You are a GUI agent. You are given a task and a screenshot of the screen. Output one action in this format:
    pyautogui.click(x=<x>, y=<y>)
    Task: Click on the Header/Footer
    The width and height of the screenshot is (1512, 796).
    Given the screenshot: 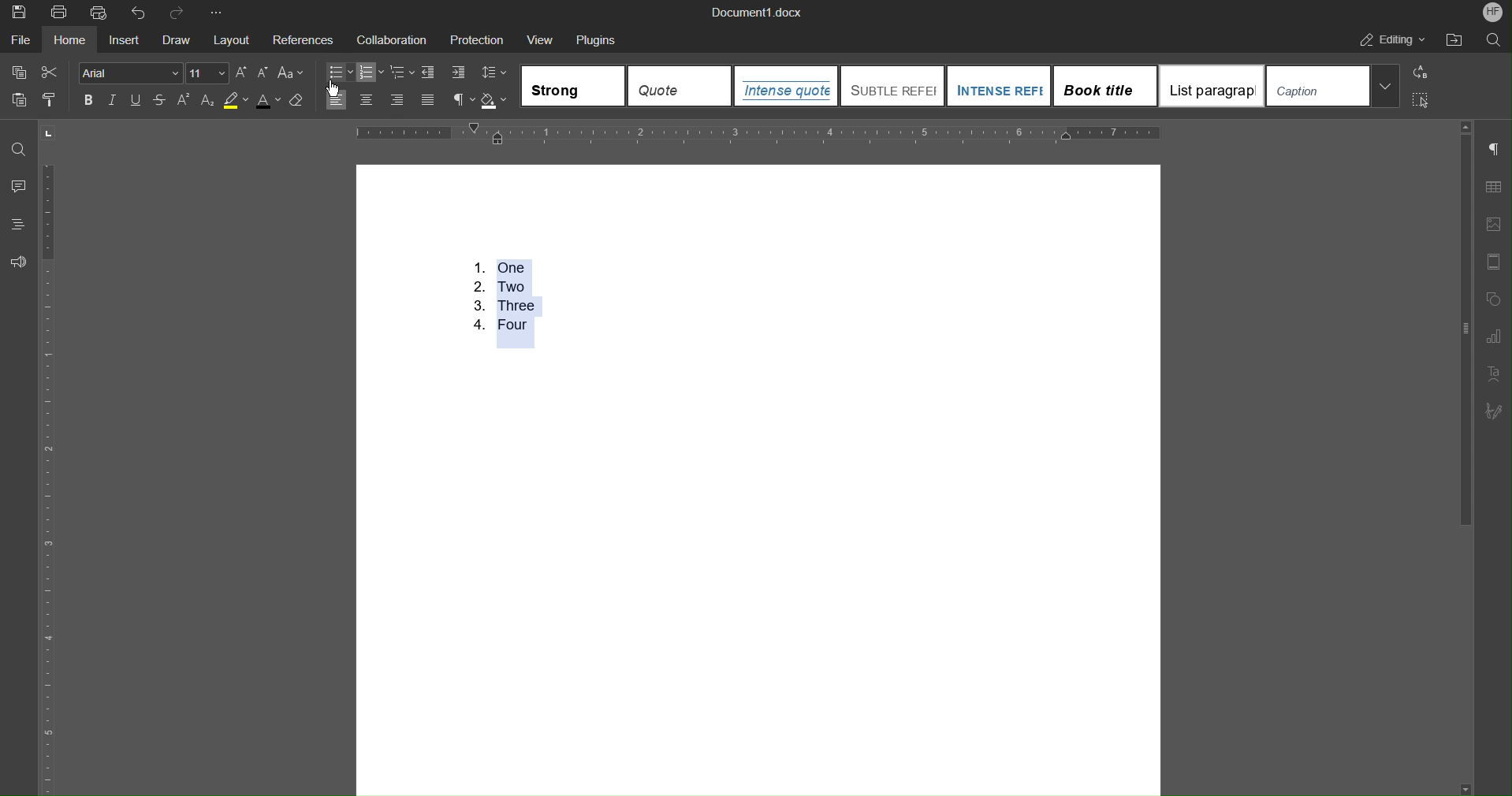 What is the action you would take?
    pyautogui.click(x=1494, y=262)
    